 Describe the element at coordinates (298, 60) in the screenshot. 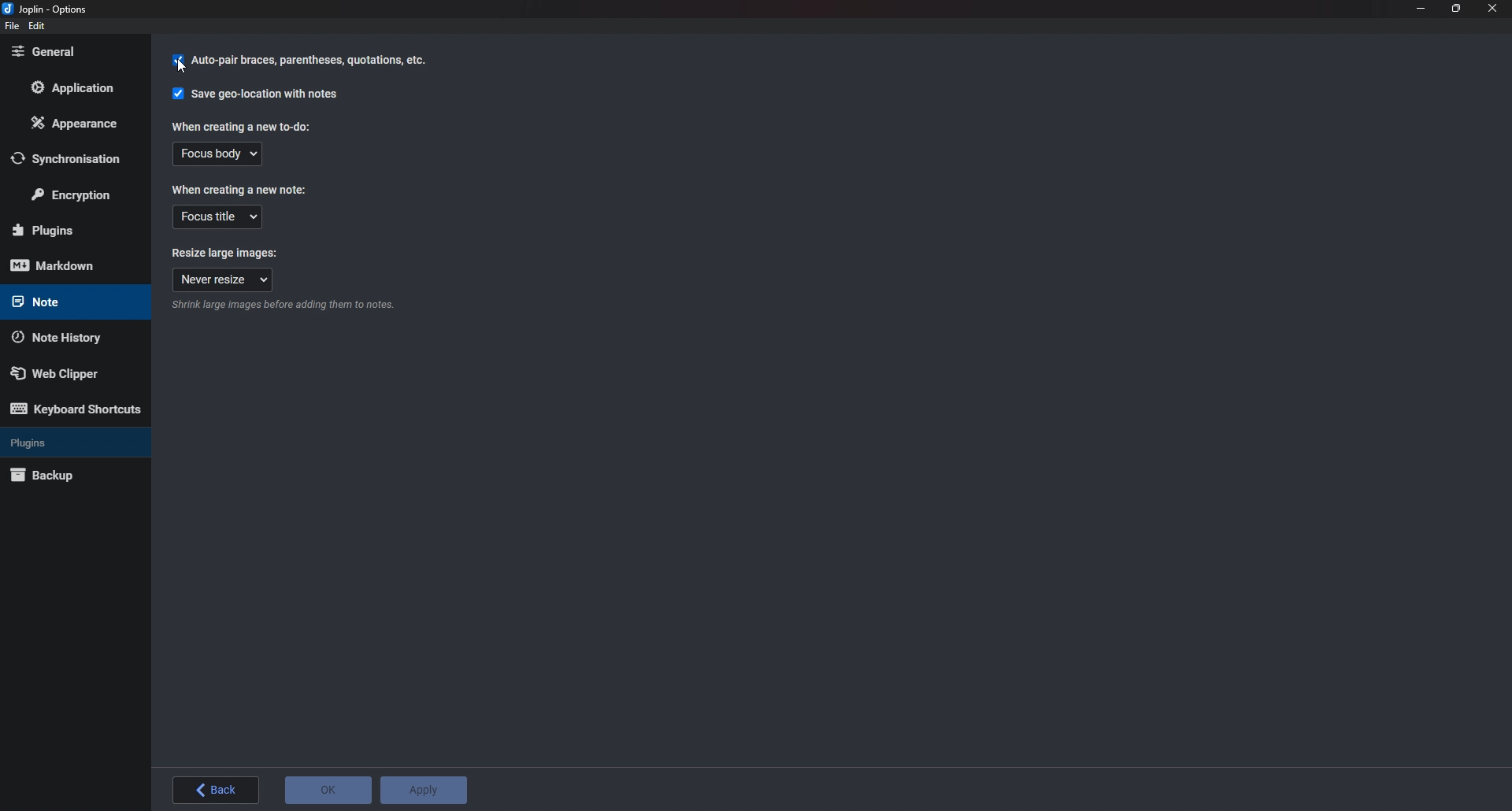

I see `Cursor on Auto pair braces parenthesis quotation` at that location.